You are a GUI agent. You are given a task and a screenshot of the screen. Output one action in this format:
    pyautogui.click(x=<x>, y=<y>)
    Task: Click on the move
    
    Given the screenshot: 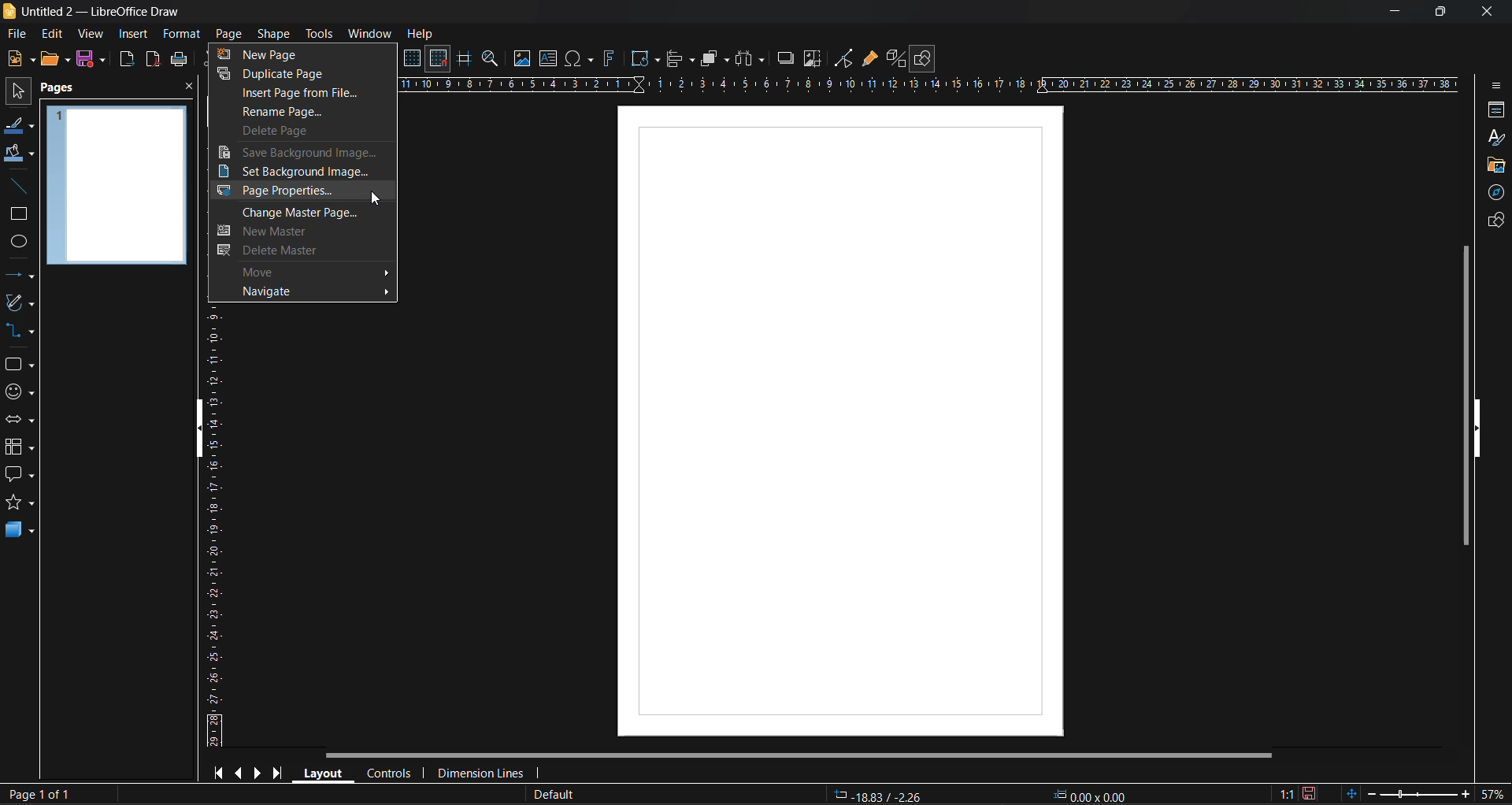 What is the action you would take?
    pyautogui.click(x=316, y=271)
    